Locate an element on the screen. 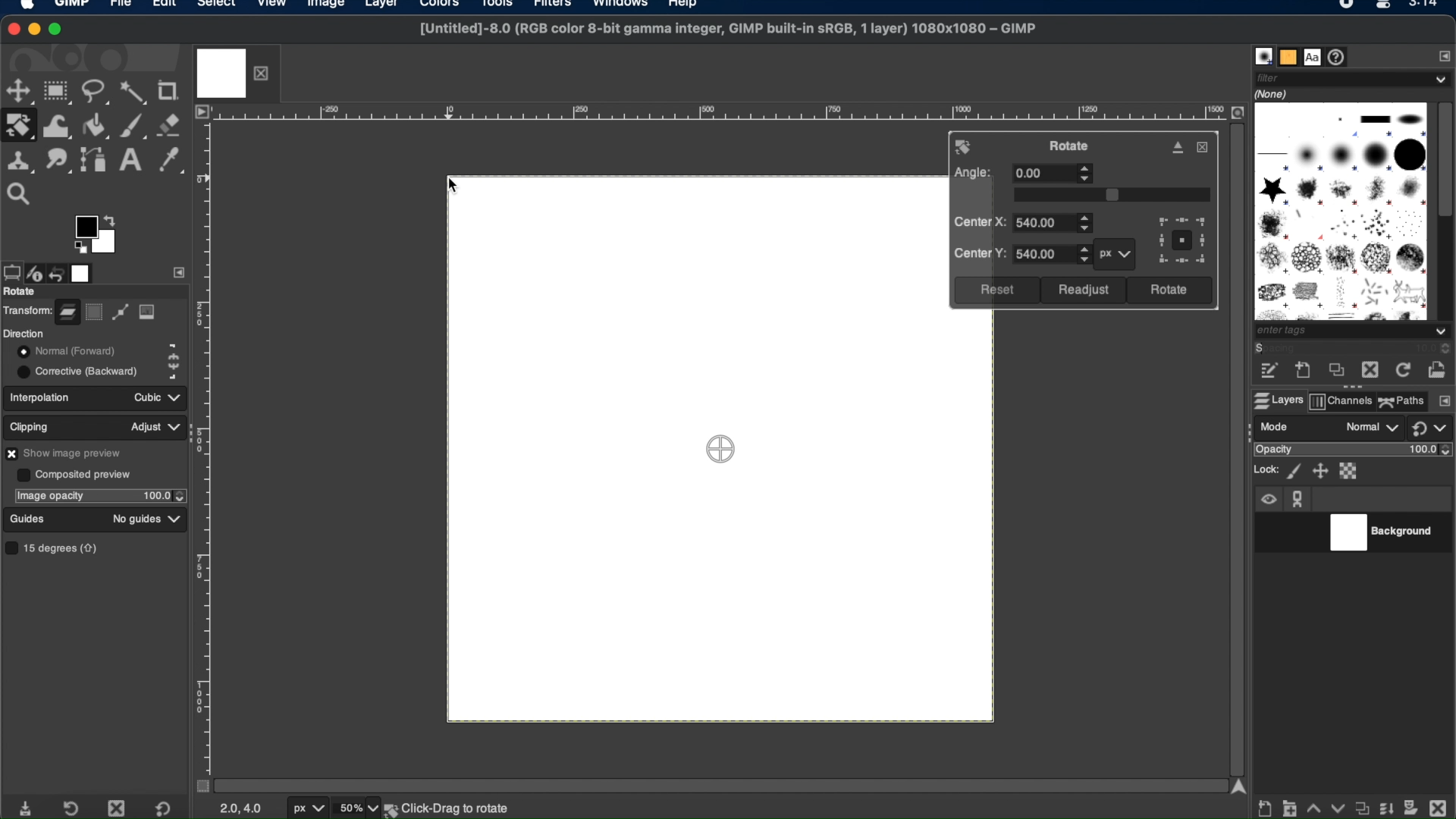 The width and height of the screenshot is (1456, 819). scroll box is located at coordinates (1446, 162).